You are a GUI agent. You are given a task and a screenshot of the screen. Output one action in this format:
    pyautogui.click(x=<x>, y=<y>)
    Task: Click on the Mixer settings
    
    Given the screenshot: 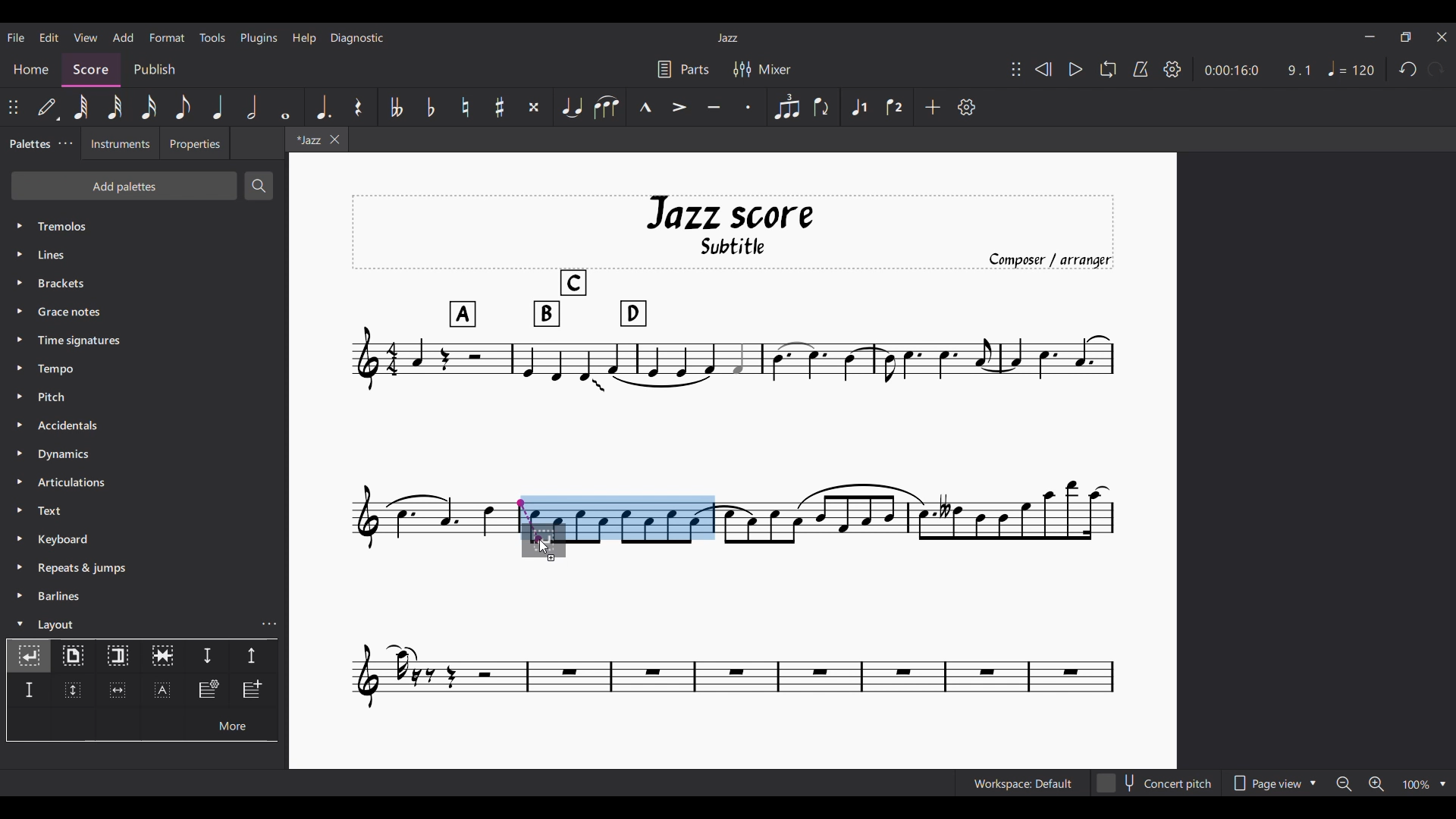 What is the action you would take?
    pyautogui.click(x=762, y=70)
    